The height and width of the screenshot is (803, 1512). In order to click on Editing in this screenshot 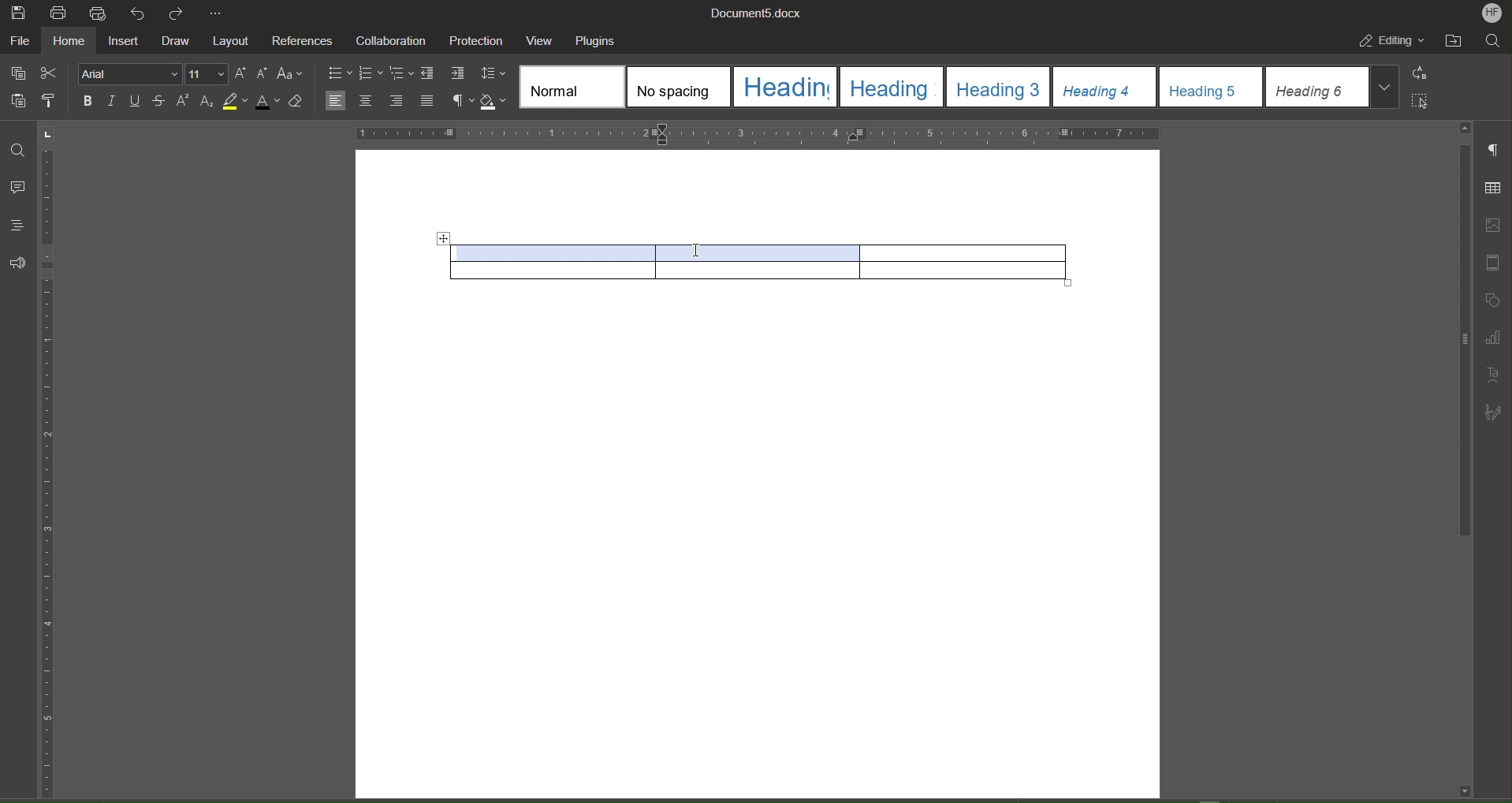, I will do `click(1393, 43)`.